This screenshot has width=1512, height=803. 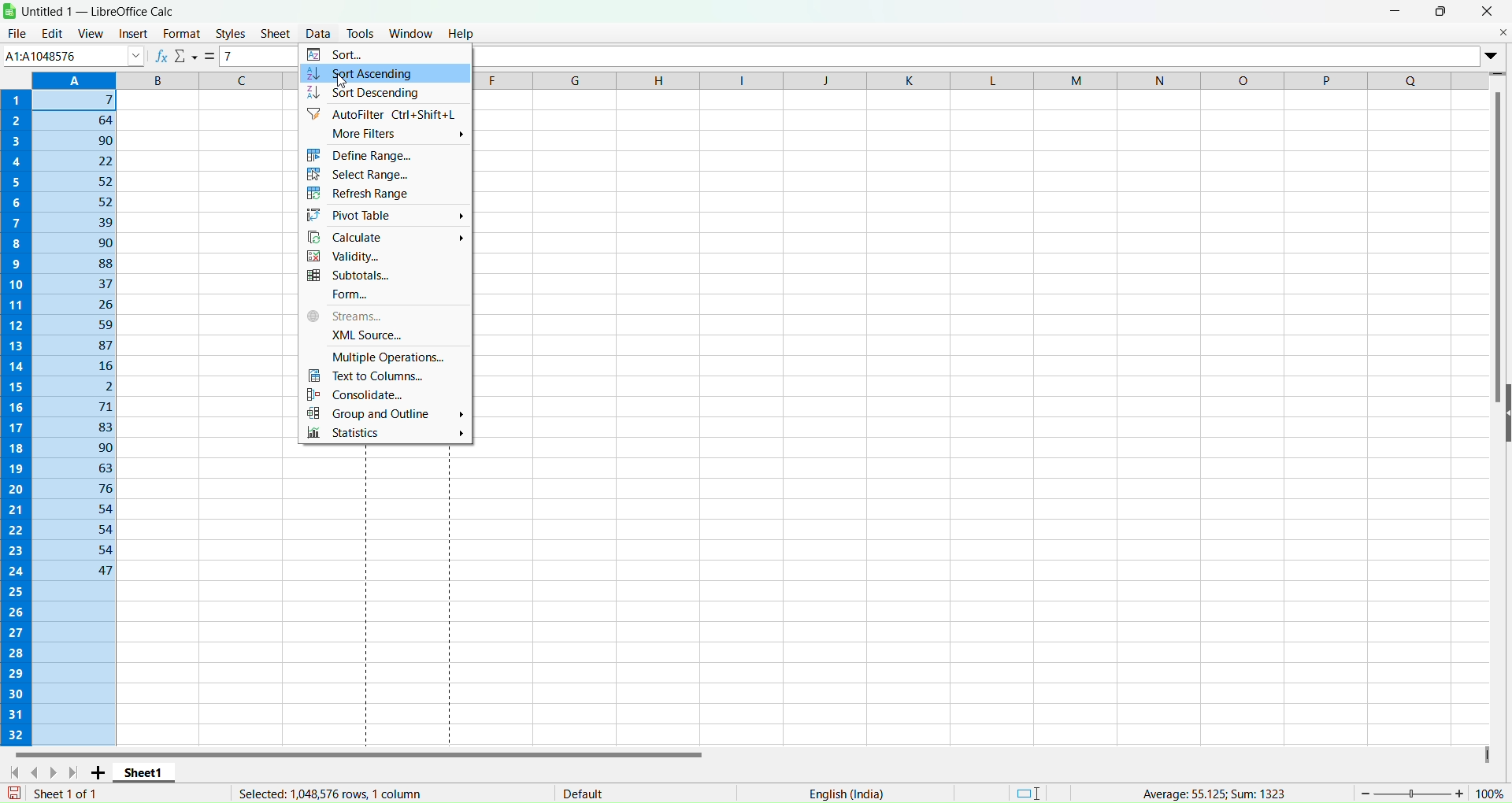 I want to click on Cursor, so click(x=341, y=74).